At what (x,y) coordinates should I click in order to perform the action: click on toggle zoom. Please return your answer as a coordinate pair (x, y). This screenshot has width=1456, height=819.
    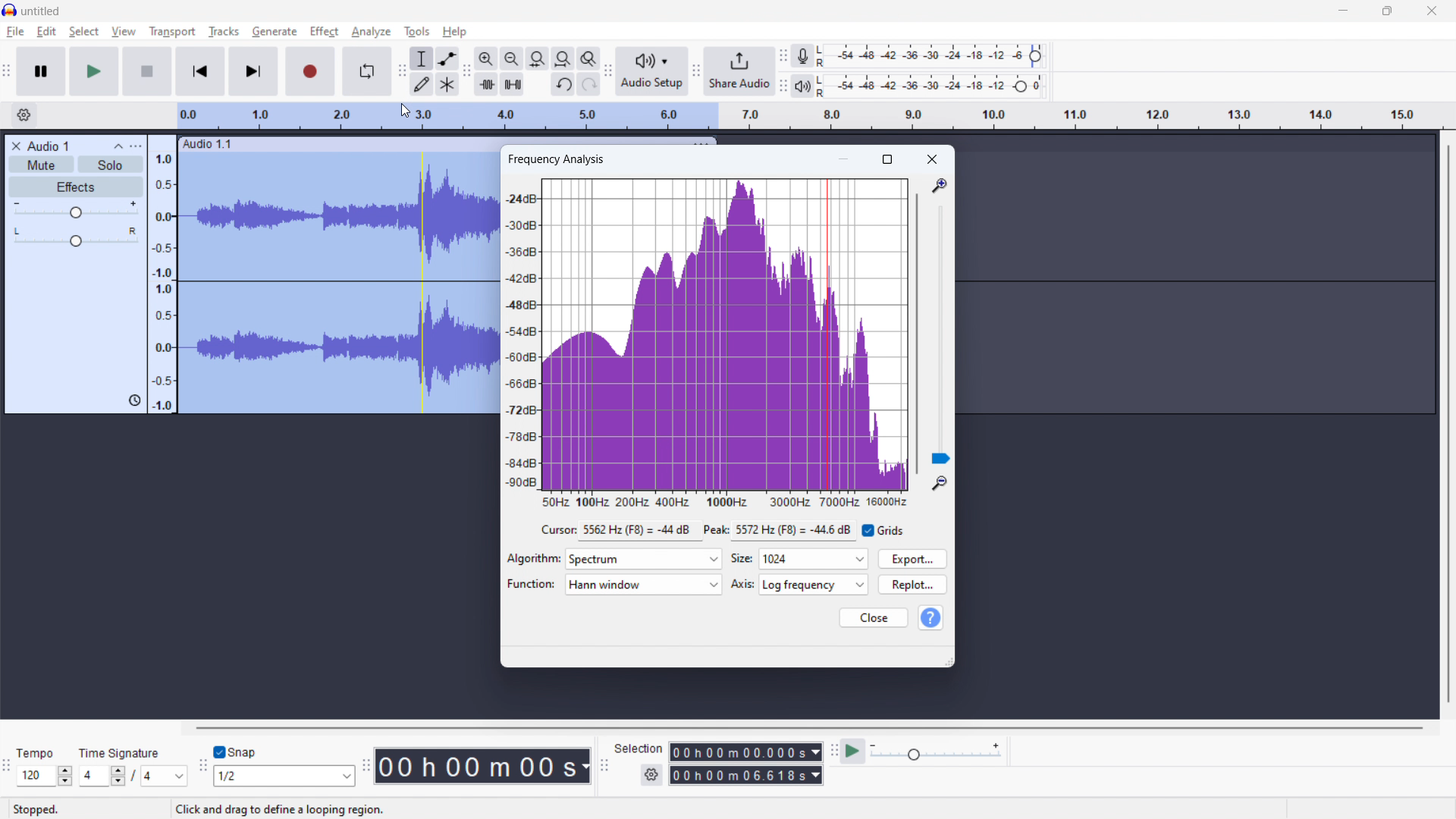
    Looking at the image, I should click on (588, 58).